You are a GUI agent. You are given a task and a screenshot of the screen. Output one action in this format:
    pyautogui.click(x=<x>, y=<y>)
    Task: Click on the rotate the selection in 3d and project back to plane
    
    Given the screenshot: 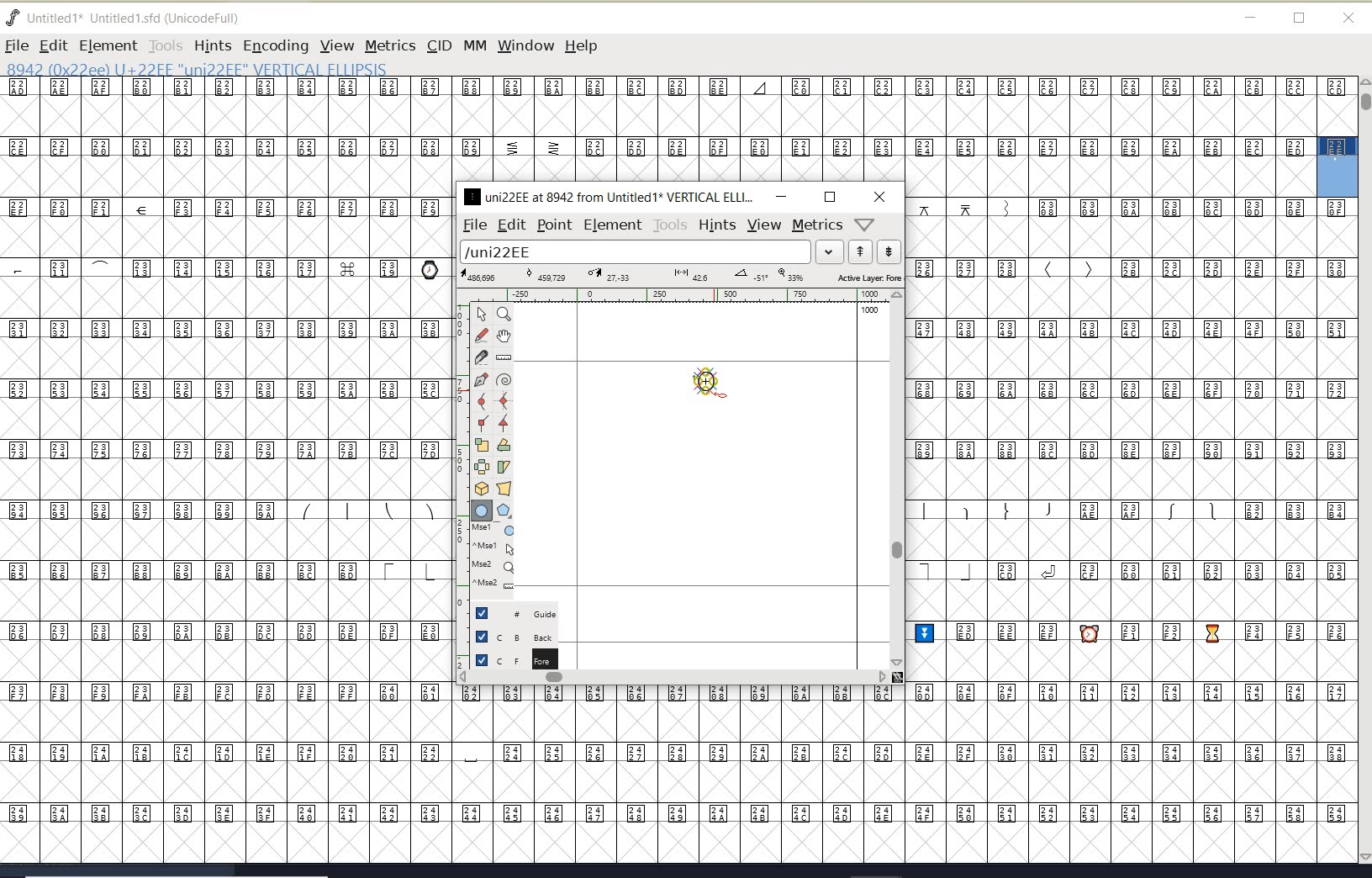 What is the action you would take?
    pyautogui.click(x=482, y=489)
    